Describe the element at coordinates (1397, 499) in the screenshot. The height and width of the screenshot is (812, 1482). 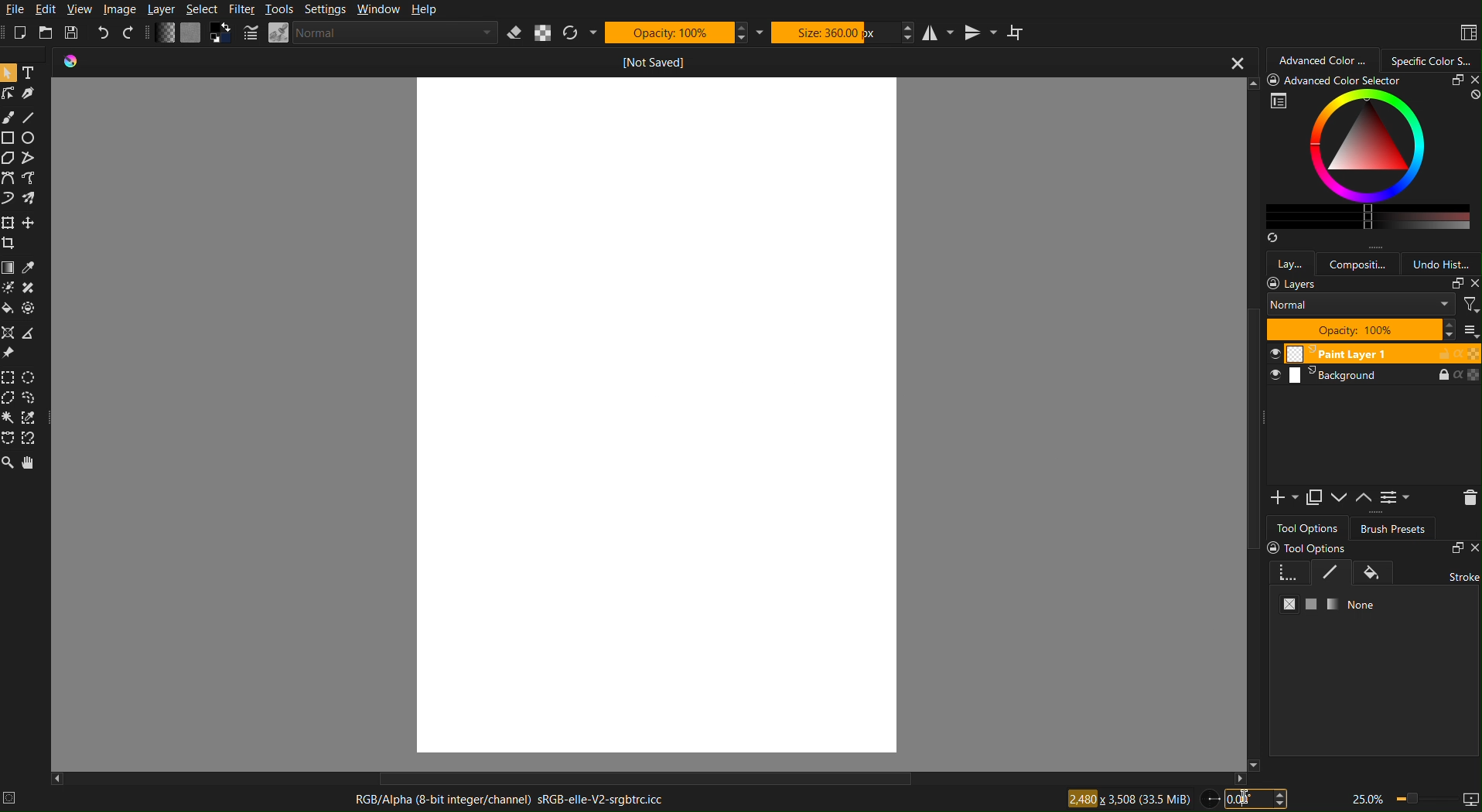
I see `Settings` at that location.